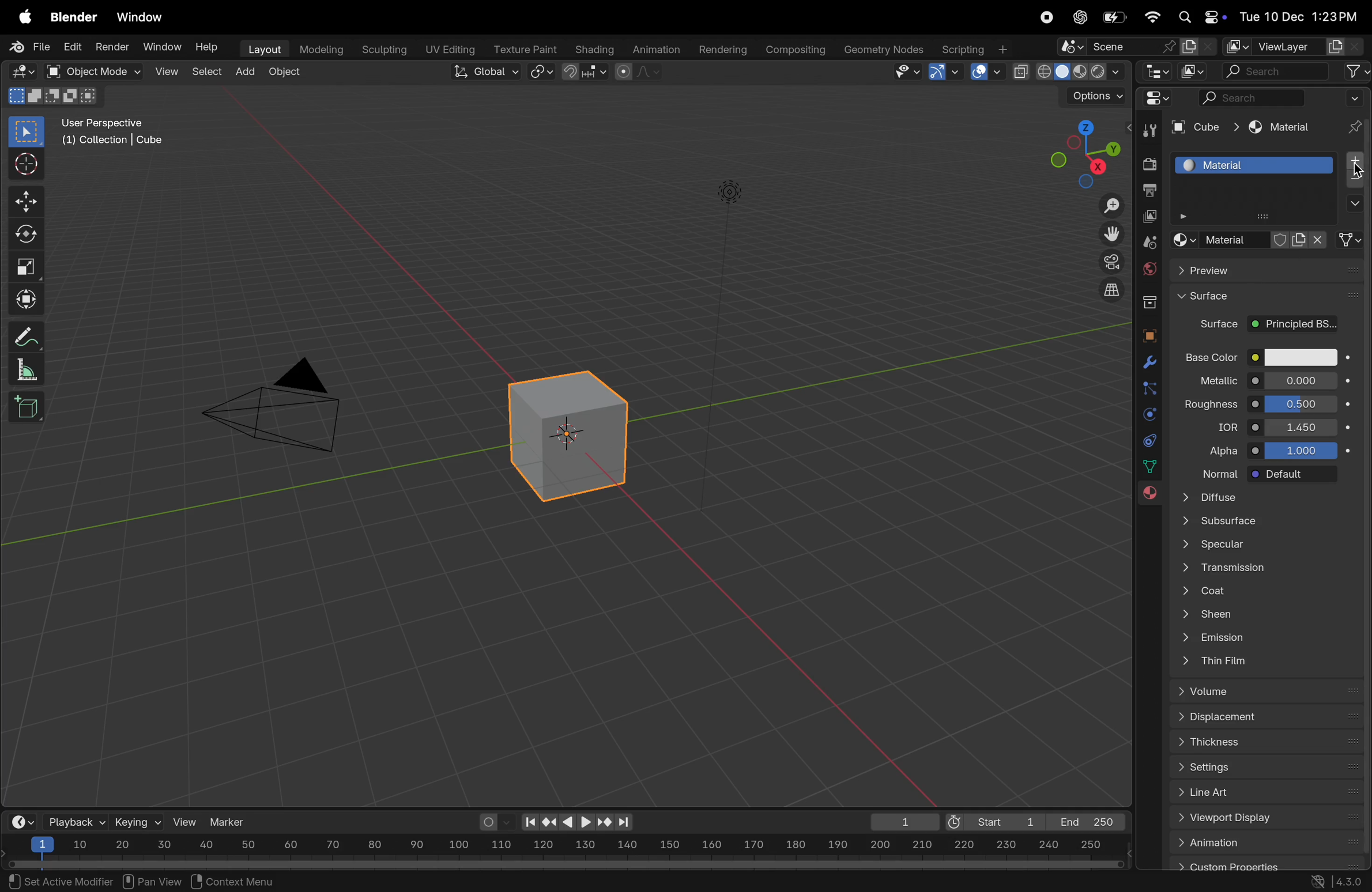  Describe the element at coordinates (482, 71) in the screenshot. I see `Global` at that location.